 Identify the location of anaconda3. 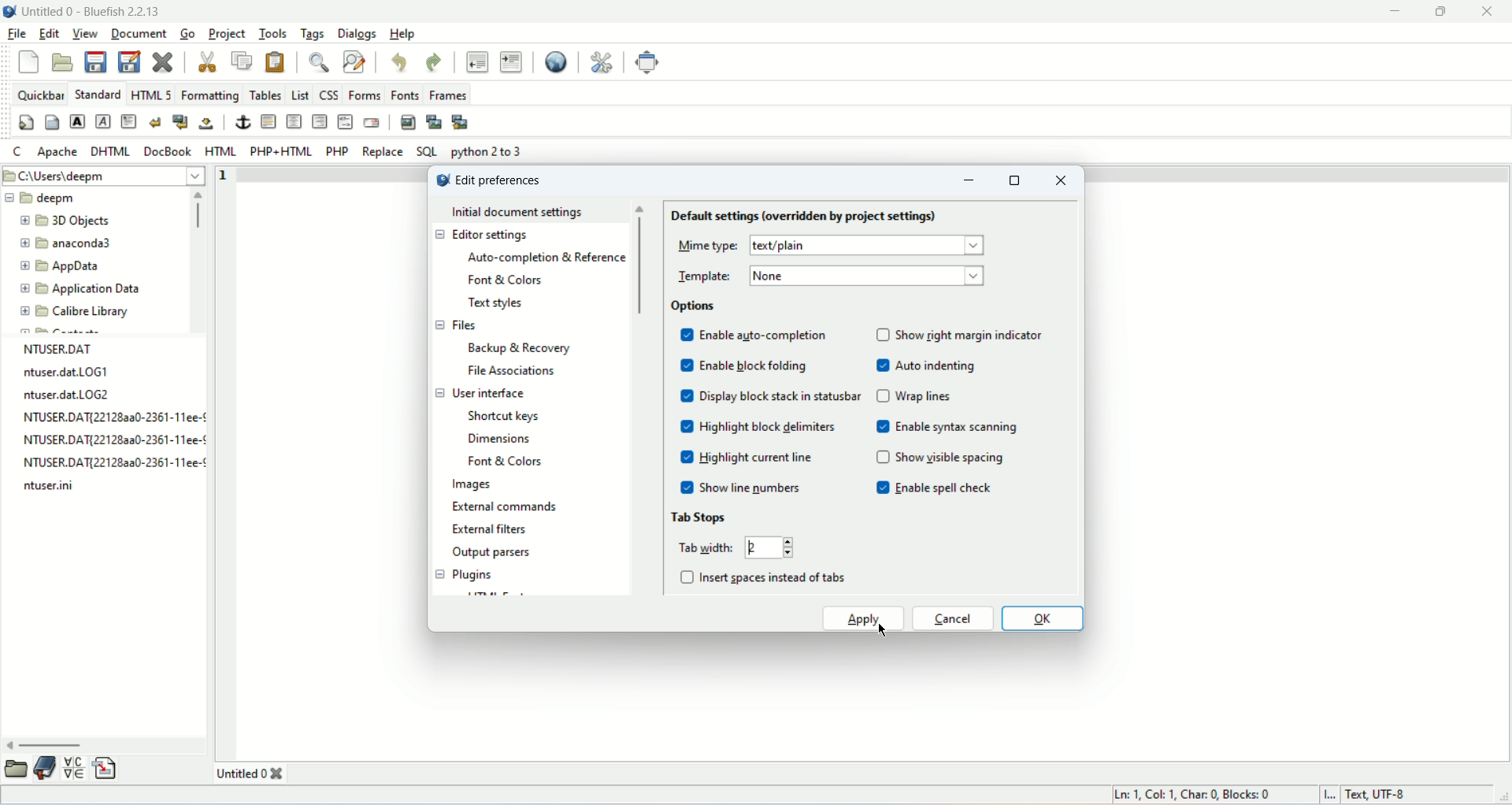
(89, 243).